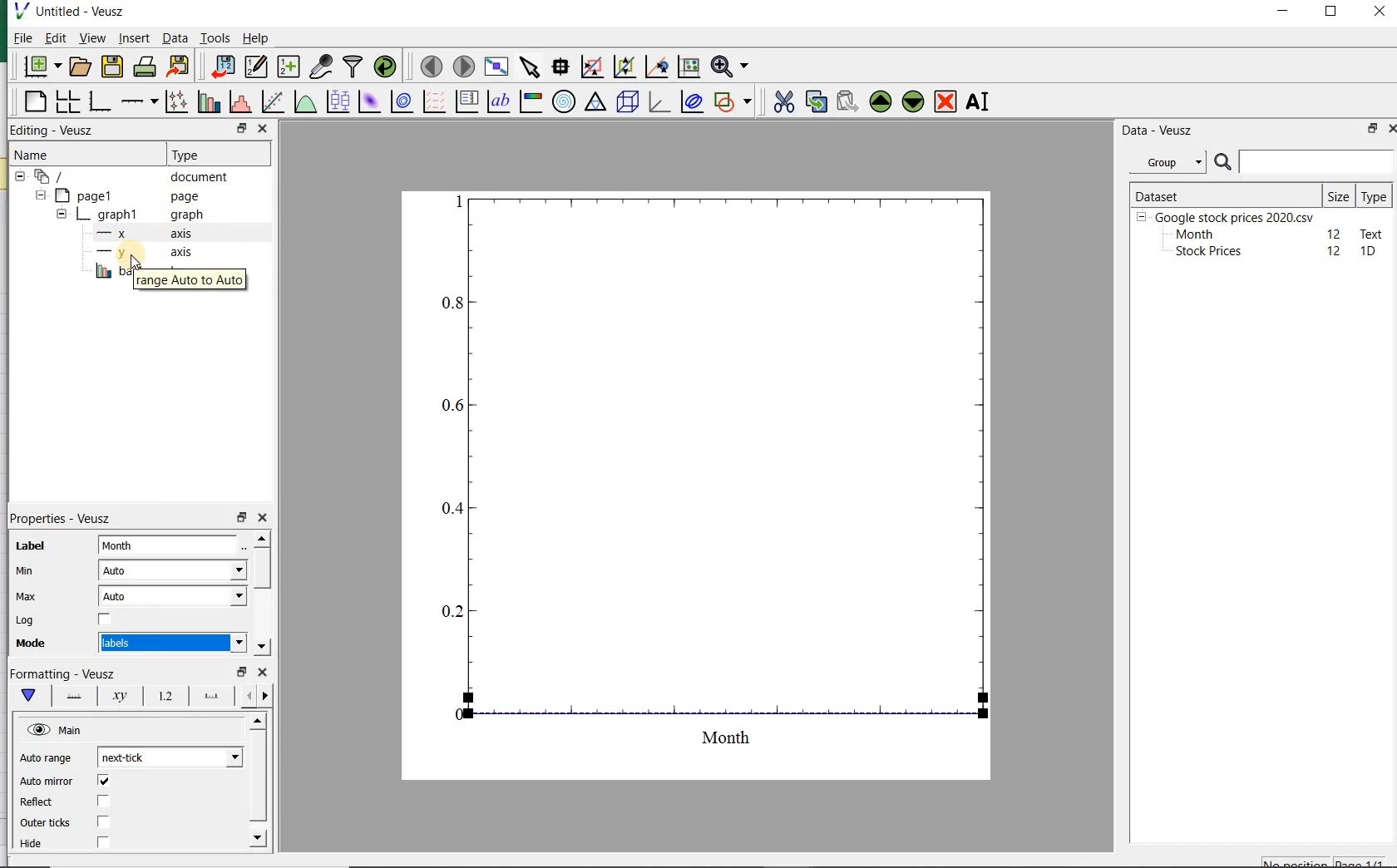 This screenshot has height=868, width=1397. I want to click on close, so click(262, 673).